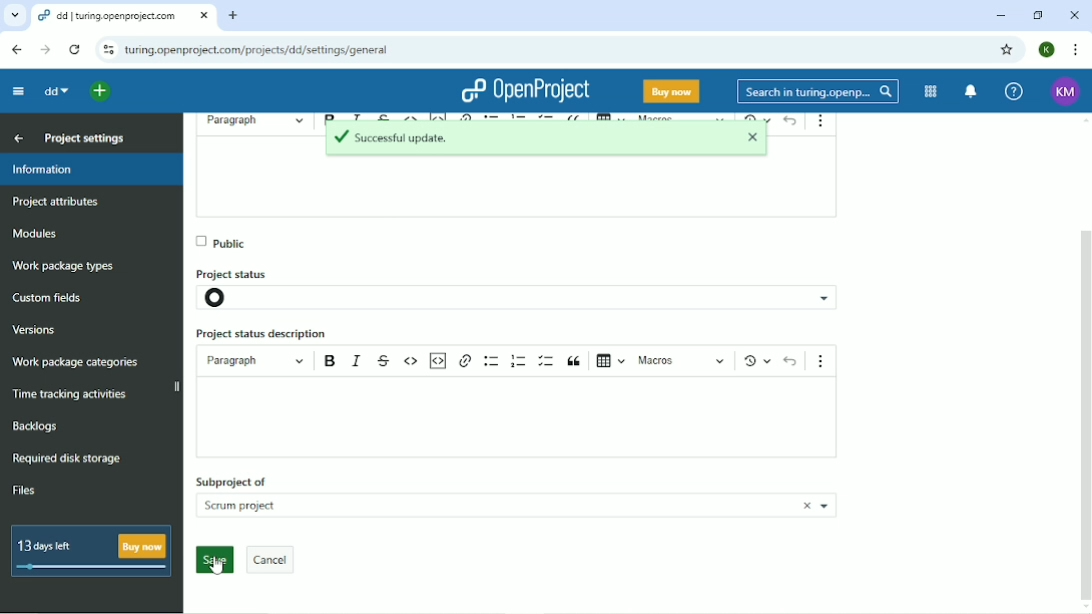 This screenshot has height=614, width=1092. Describe the element at coordinates (1089, 314) in the screenshot. I see `vertical scroll bar` at that location.